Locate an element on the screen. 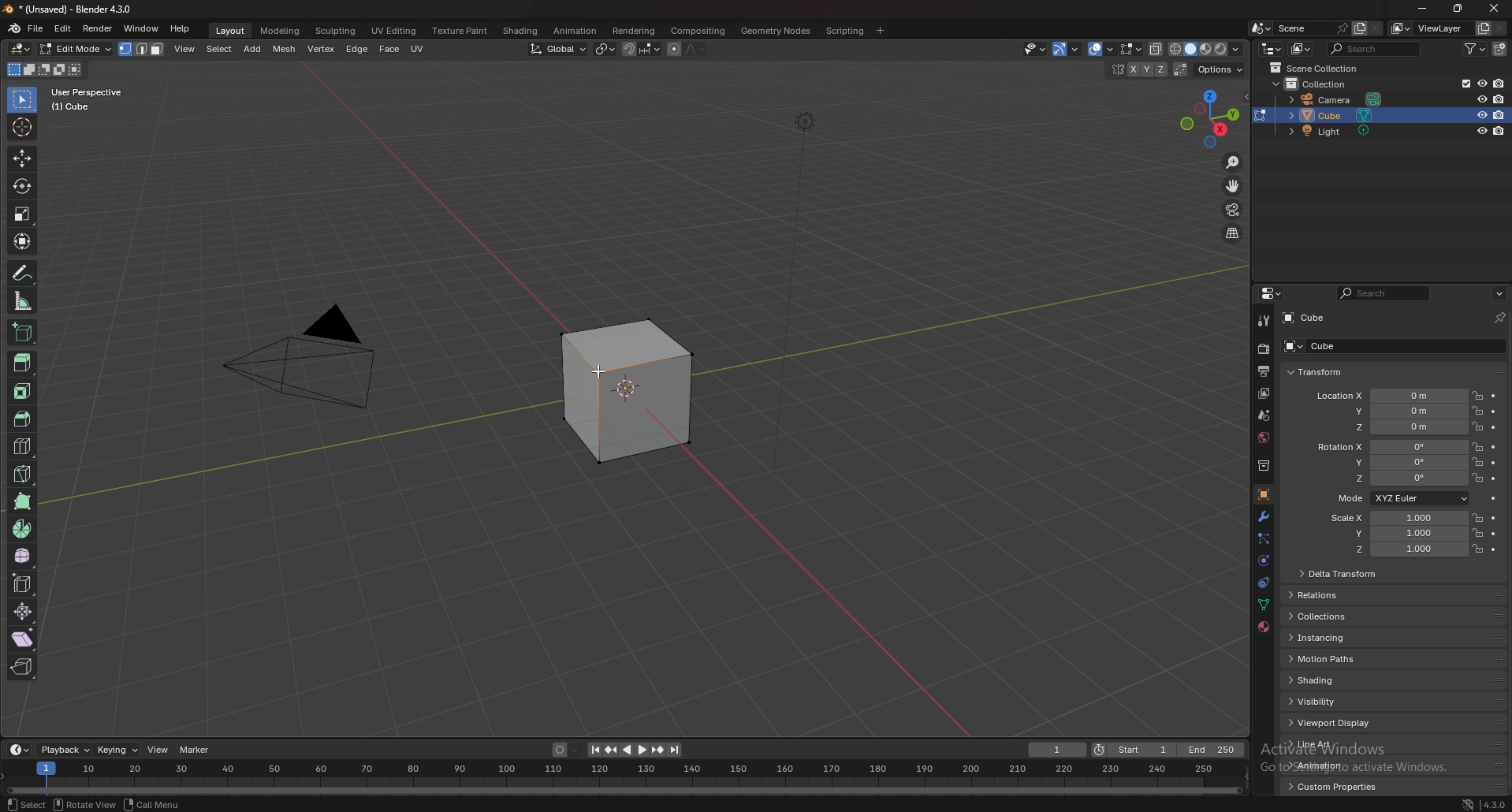  selectibility and visibility is located at coordinates (1061, 50).